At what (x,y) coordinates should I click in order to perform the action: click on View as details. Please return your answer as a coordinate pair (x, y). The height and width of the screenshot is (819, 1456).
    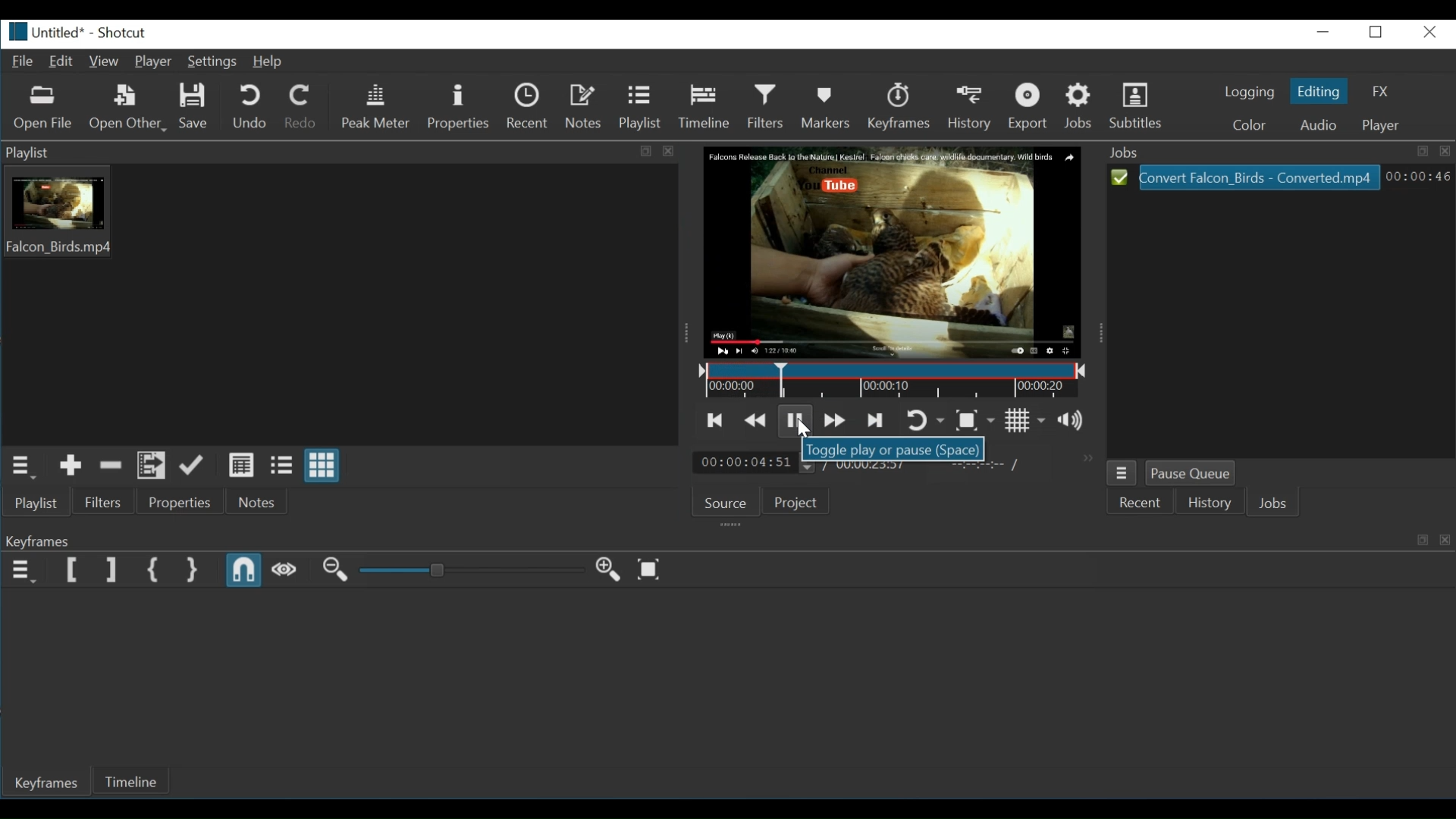
    Looking at the image, I should click on (242, 466).